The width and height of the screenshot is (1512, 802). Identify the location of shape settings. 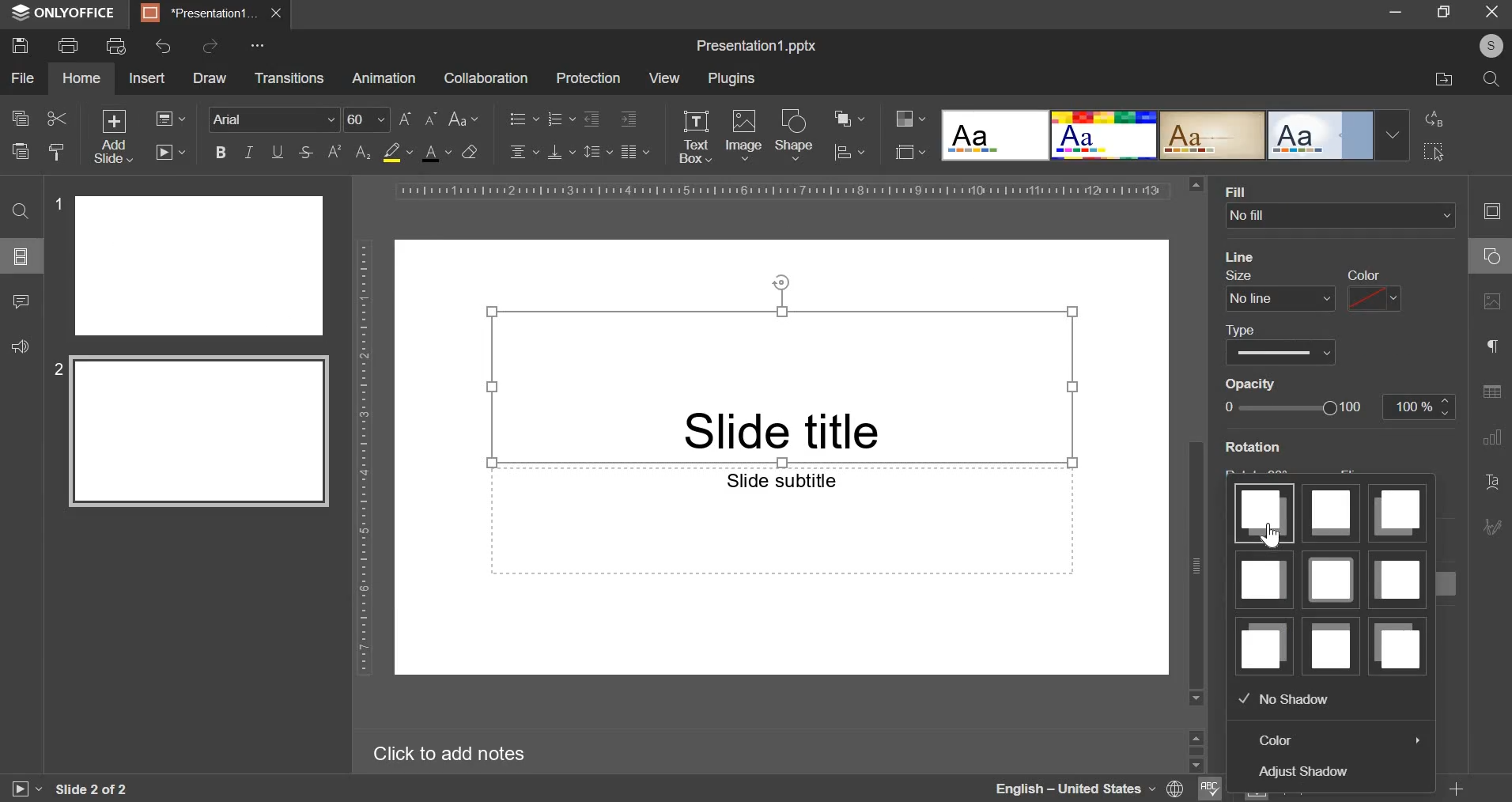
(1488, 257).